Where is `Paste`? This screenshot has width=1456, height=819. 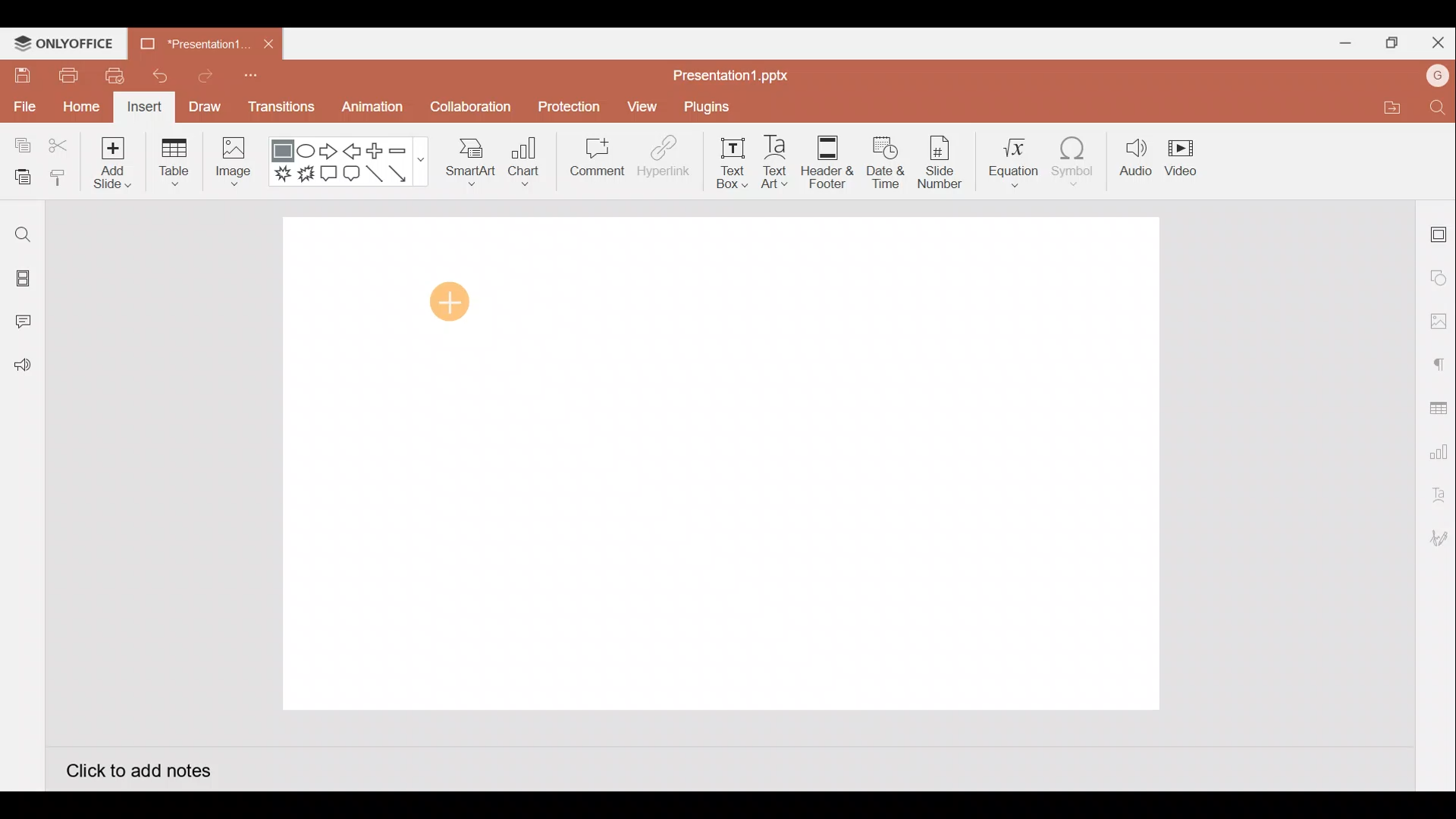
Paste is located at coordinates (19, 178).